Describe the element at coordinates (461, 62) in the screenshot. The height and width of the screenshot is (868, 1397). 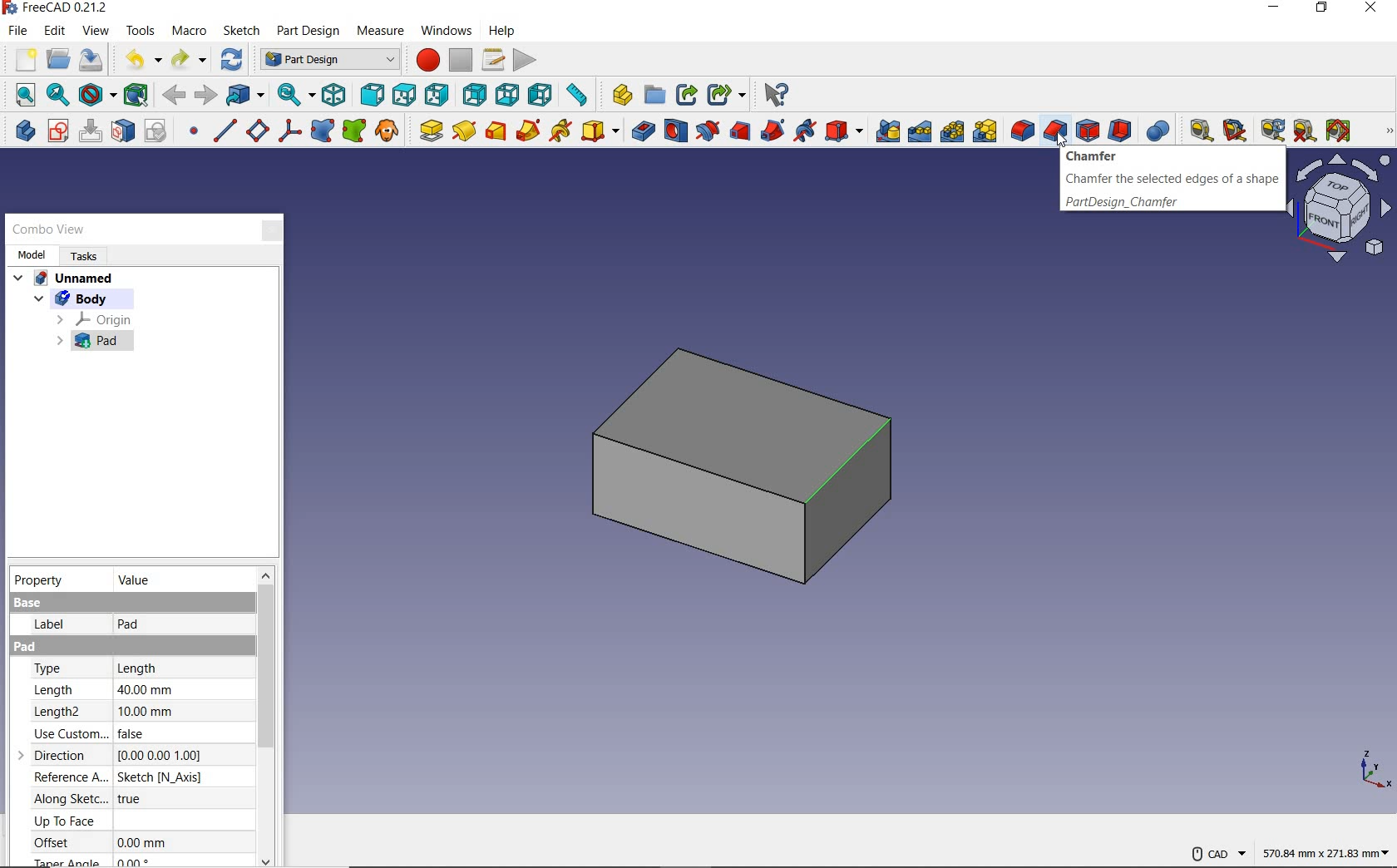
I see `stop macro recording` at that location.